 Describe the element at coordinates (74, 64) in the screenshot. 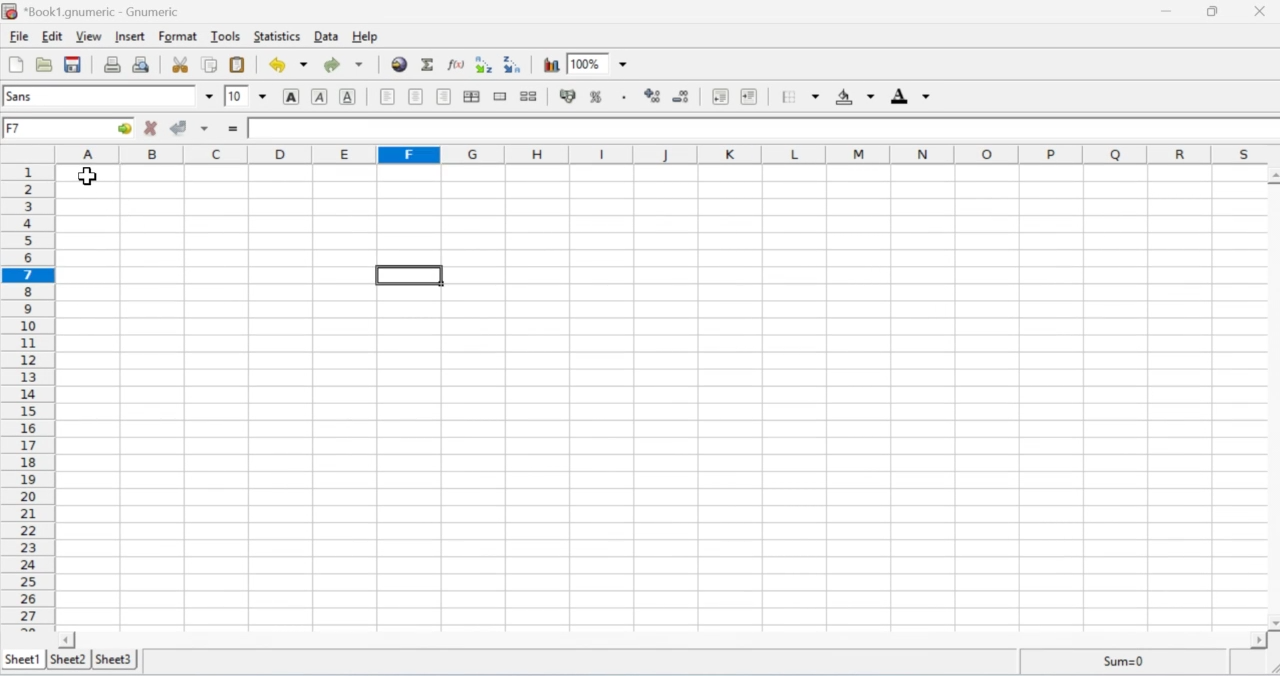

I see `Save the current workbook` at that location.